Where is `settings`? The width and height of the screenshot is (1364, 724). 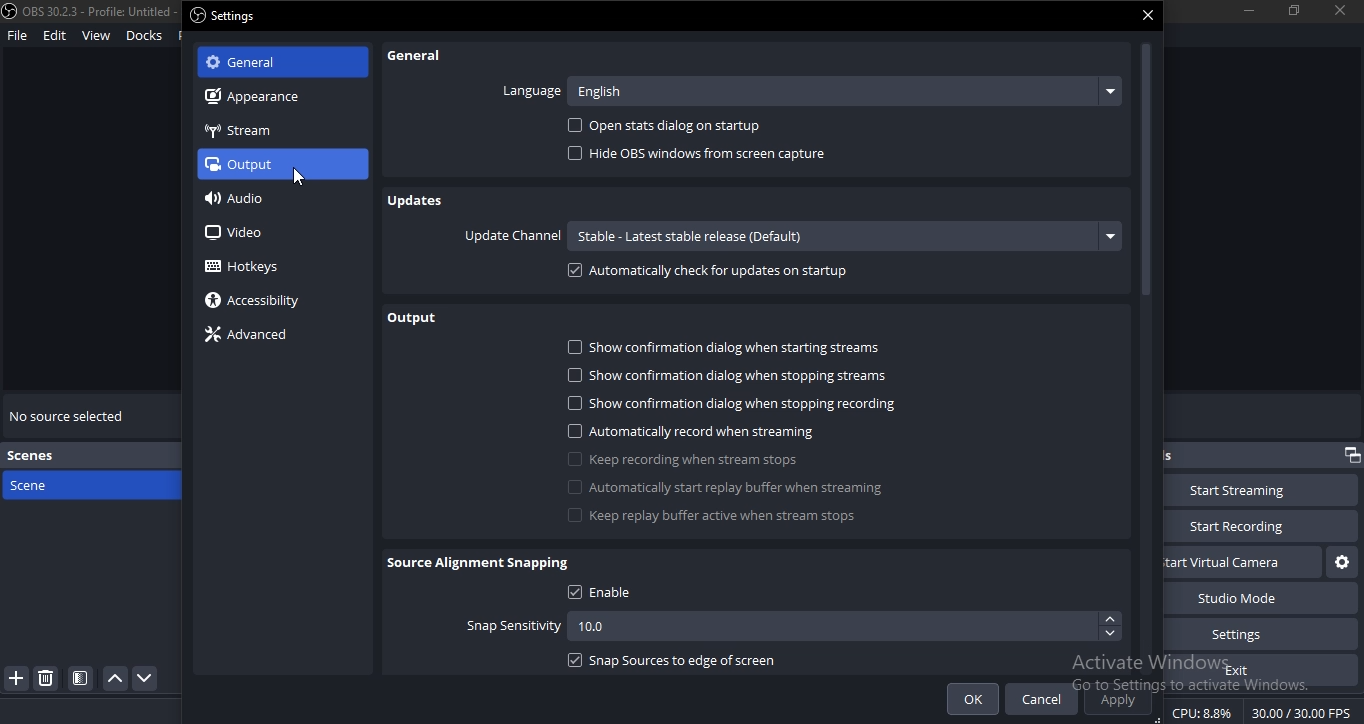 settings is located at coordinates (228, 16).